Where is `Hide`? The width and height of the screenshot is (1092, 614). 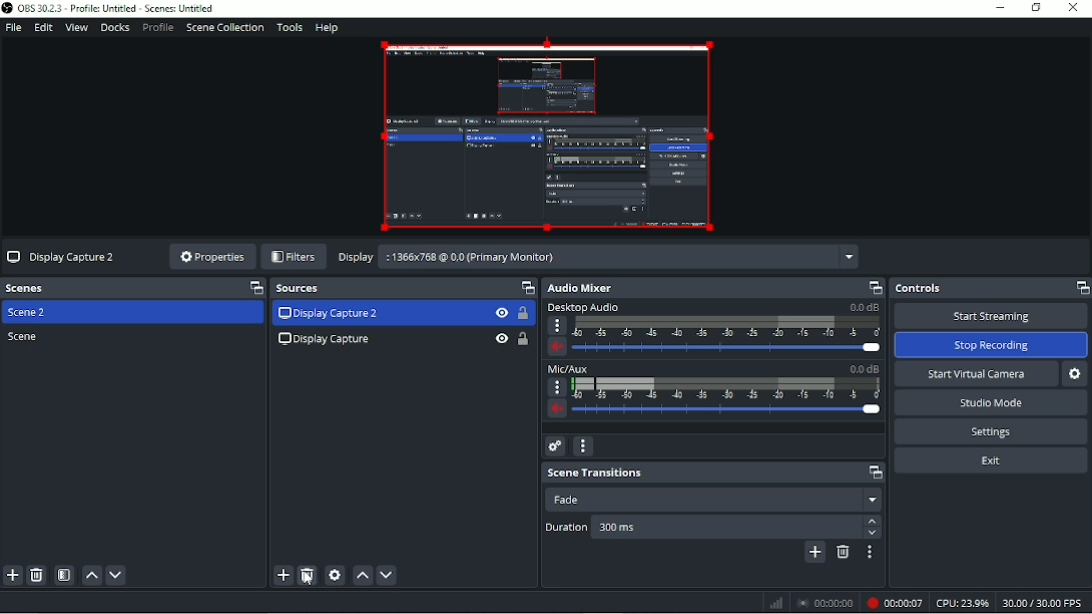 Hide is located at coordinates (501, 313).